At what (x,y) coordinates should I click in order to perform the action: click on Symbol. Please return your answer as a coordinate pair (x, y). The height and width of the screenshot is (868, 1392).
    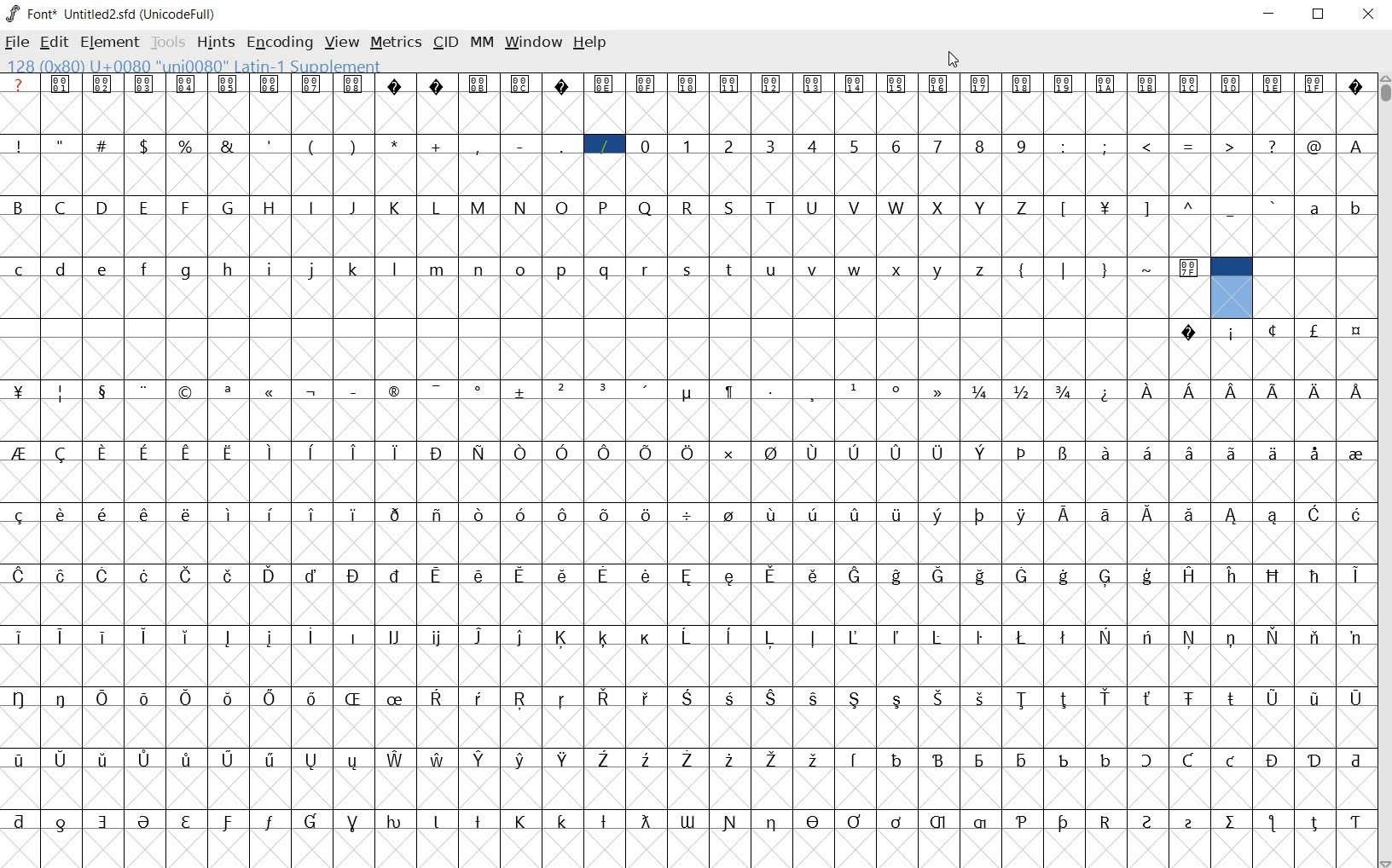
    Looking at the image, I should click on (274, 697).